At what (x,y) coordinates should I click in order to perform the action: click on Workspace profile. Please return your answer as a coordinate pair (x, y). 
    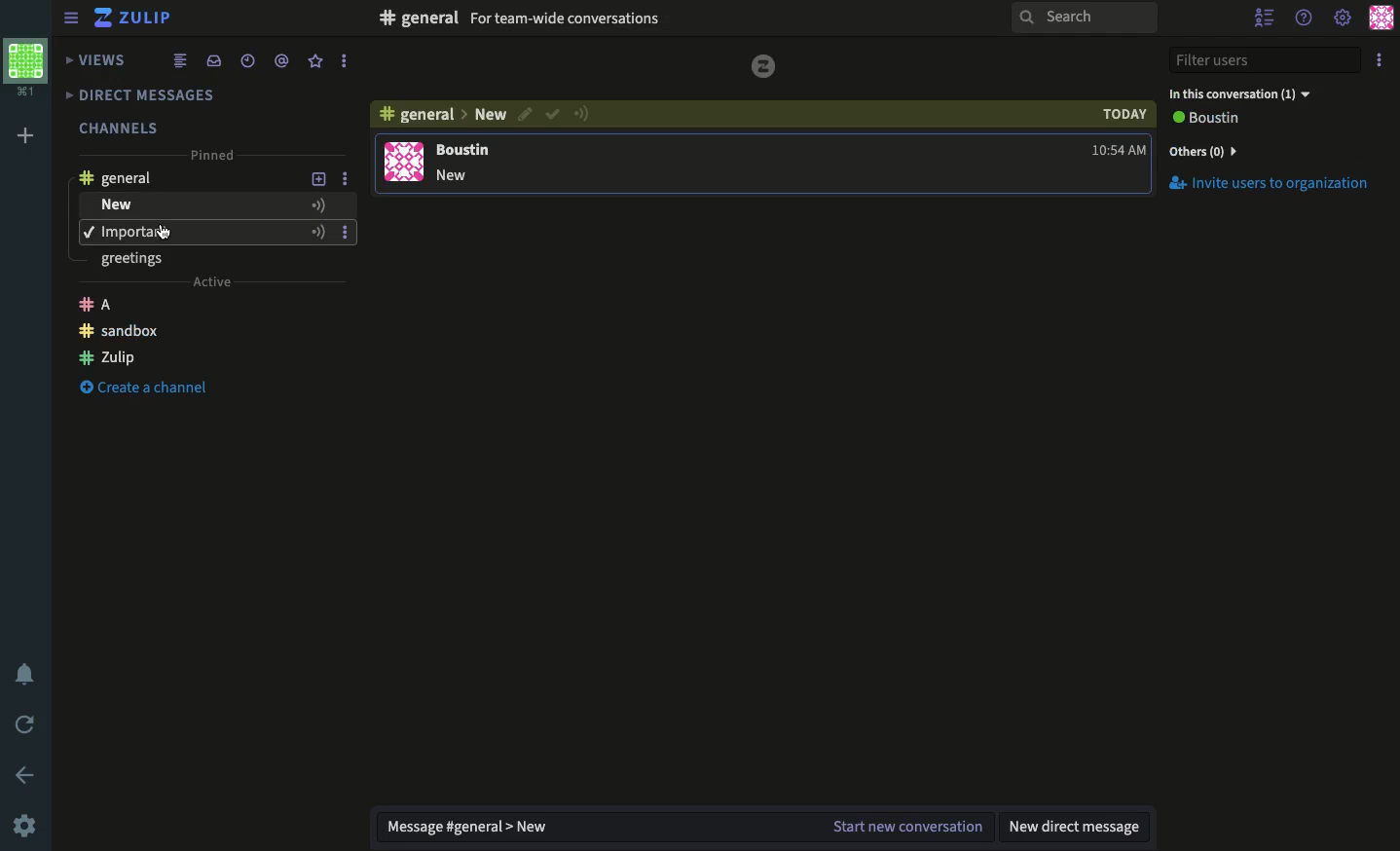
    Looking at the image, I should click on (30, 68).